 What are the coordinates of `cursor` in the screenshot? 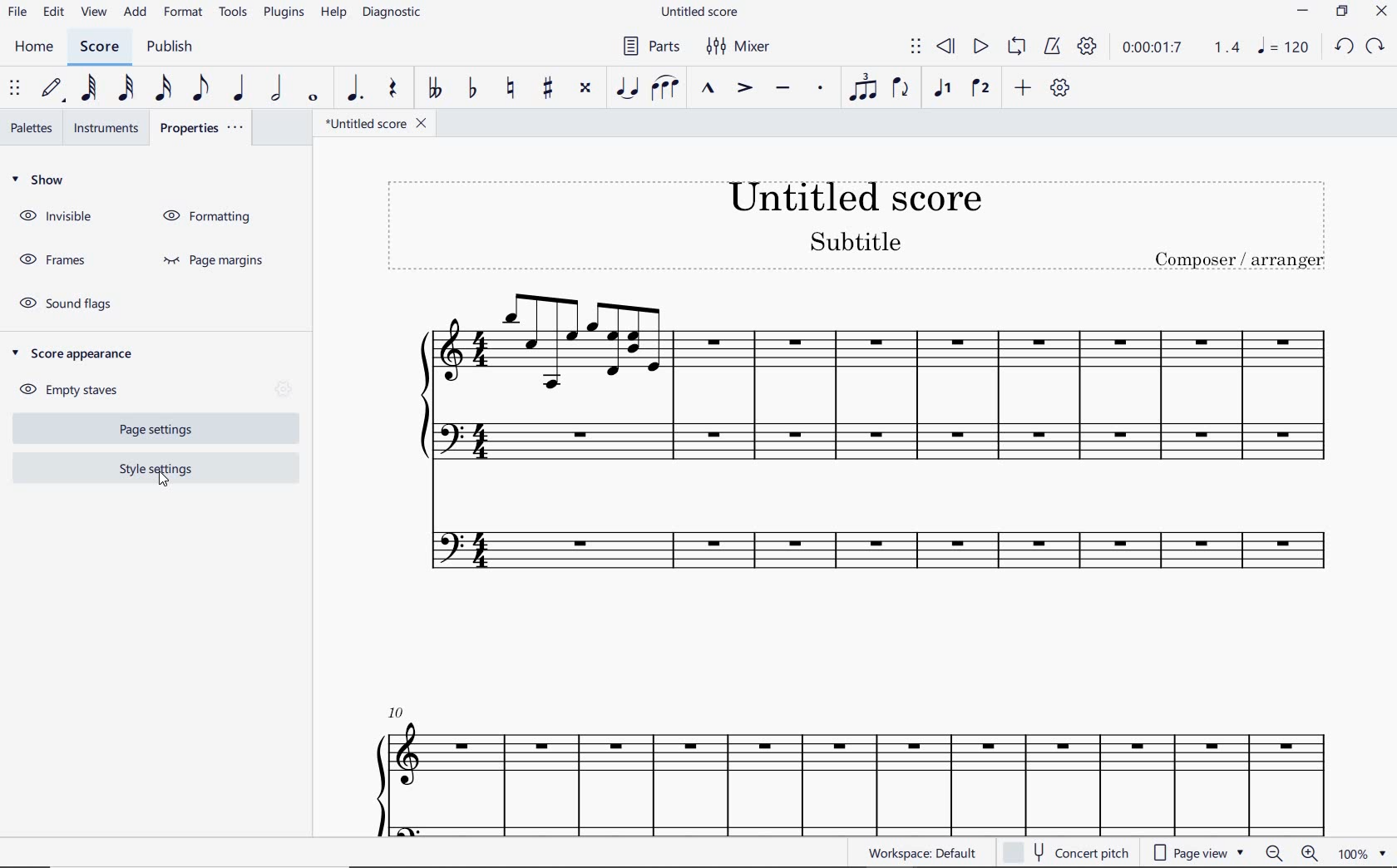 It's located at (159, 481).